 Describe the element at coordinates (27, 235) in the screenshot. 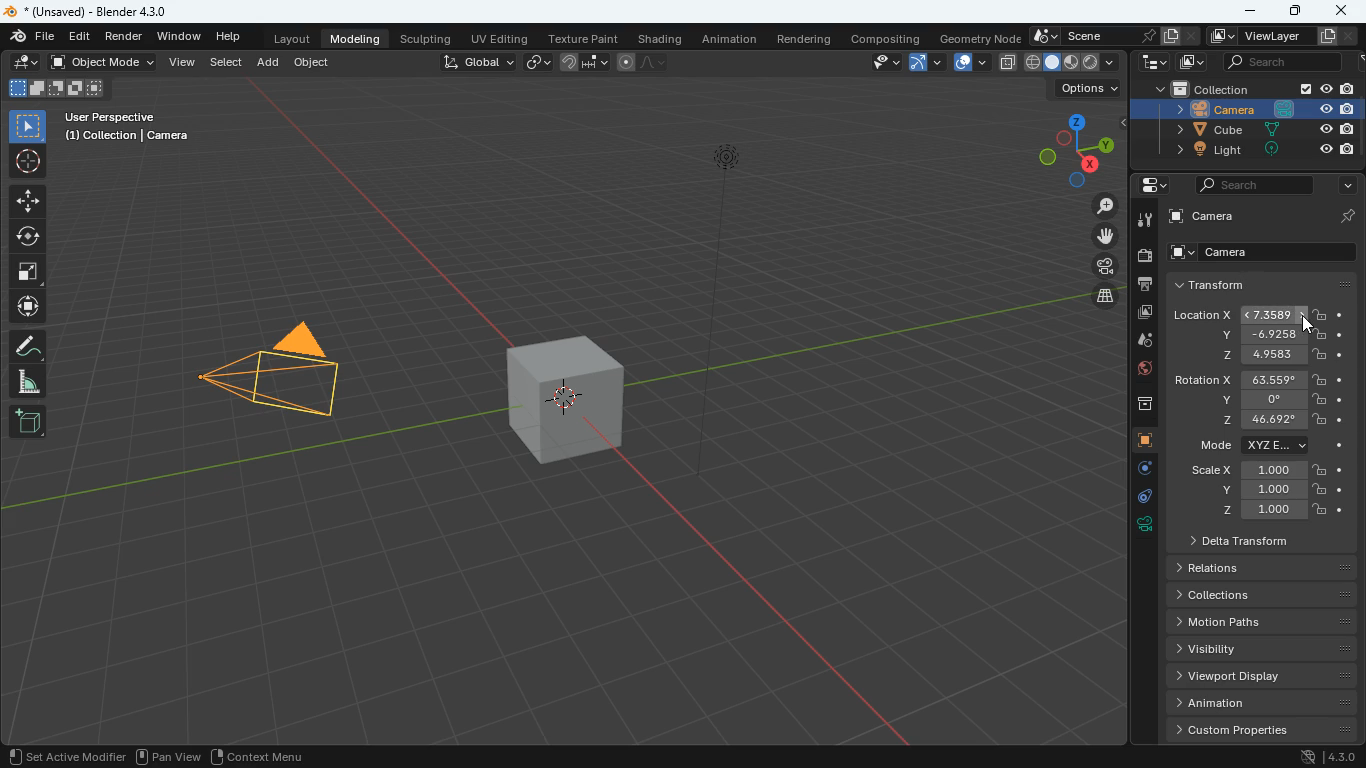

I see `rotation` at that location.